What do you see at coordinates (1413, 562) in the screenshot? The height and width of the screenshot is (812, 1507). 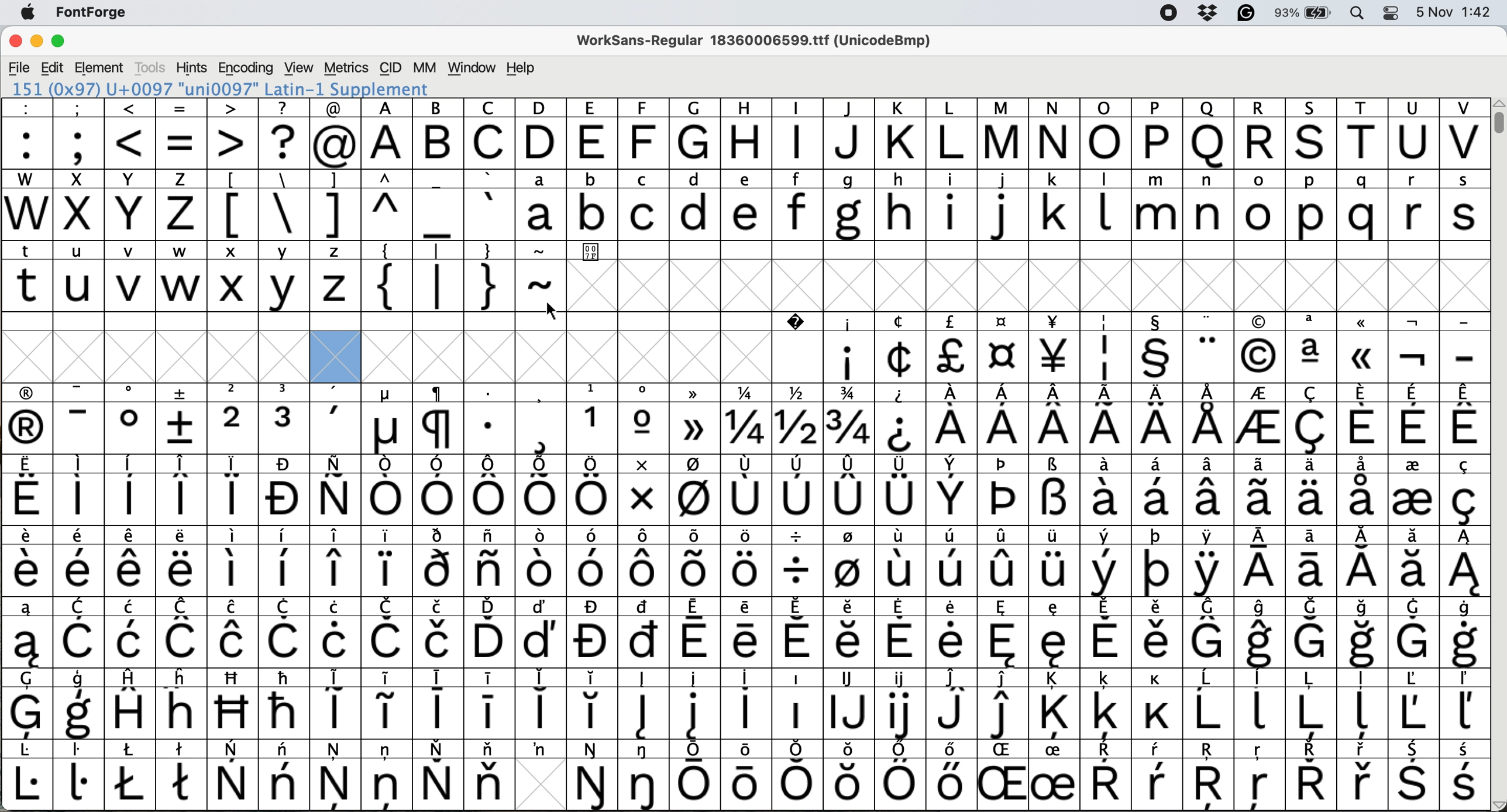 I see `symbol` at bounding box center [1413, 562].